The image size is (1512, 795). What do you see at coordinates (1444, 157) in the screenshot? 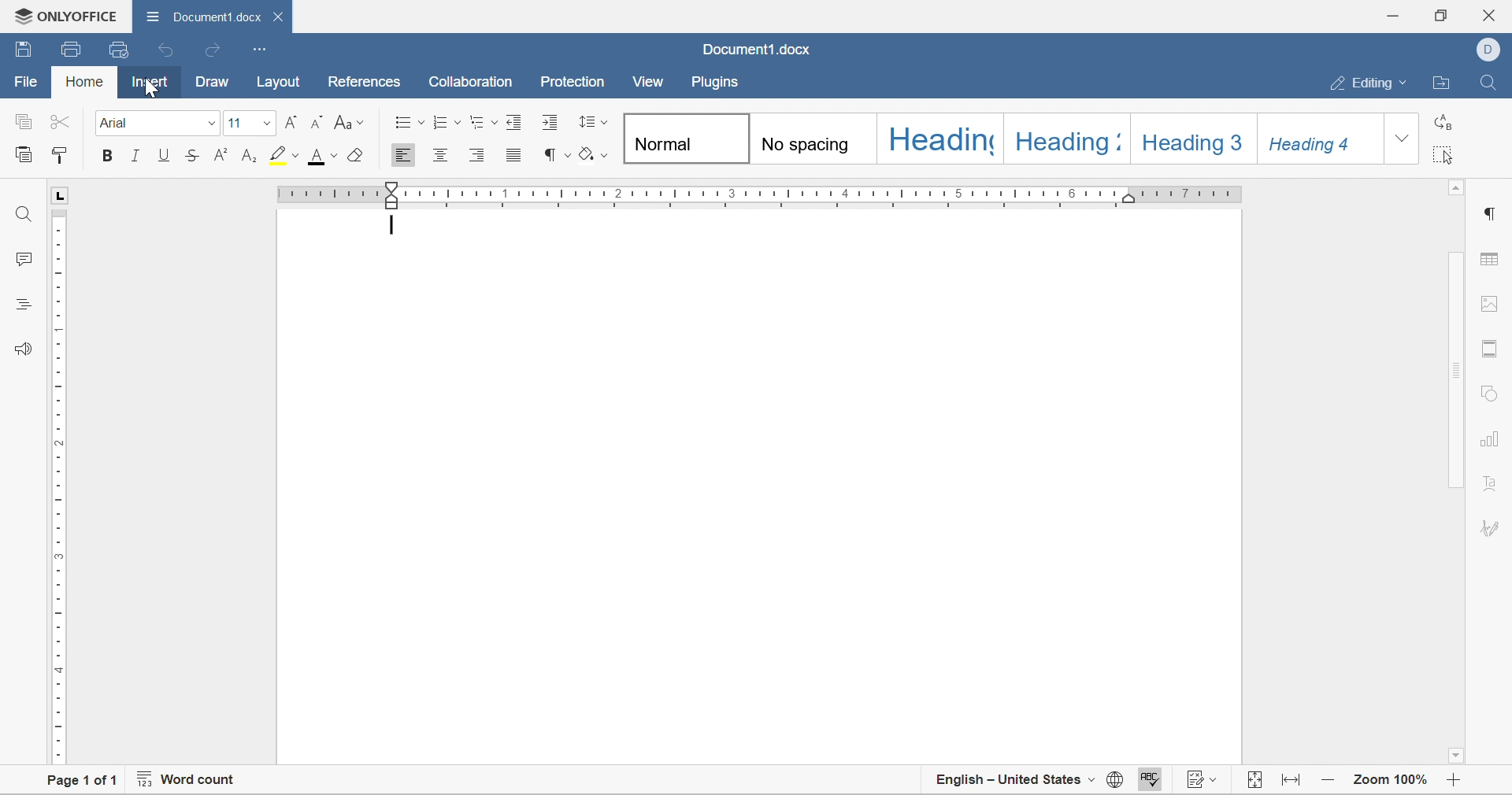
I see `Select all` at bounding box center [1444, 157].